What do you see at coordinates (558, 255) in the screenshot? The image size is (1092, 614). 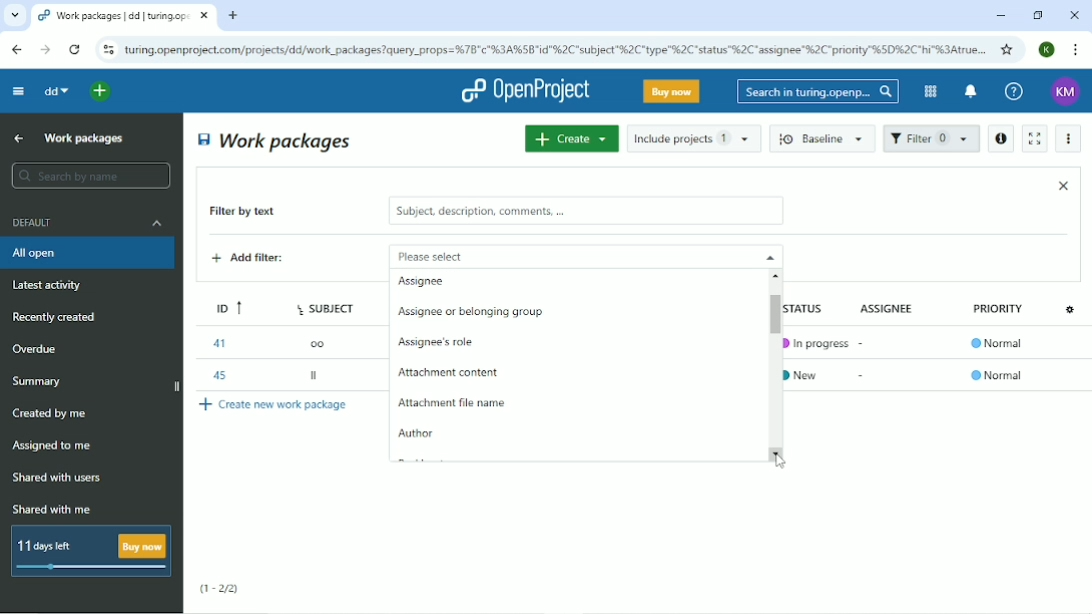 I see `Please select` at bounding box center [558, 255].